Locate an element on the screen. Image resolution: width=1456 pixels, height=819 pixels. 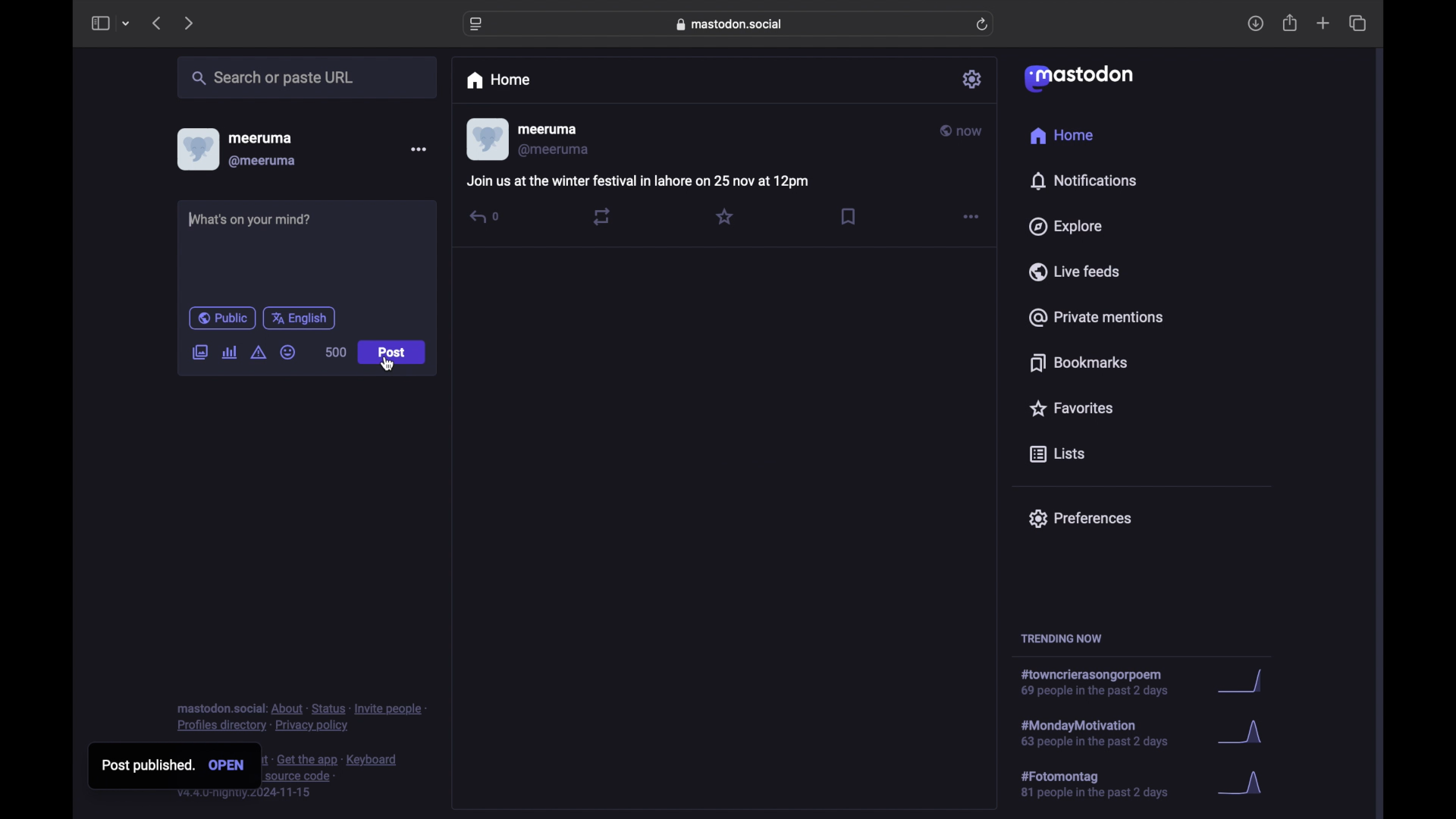
add content warning is located at coordinates (258, 353).